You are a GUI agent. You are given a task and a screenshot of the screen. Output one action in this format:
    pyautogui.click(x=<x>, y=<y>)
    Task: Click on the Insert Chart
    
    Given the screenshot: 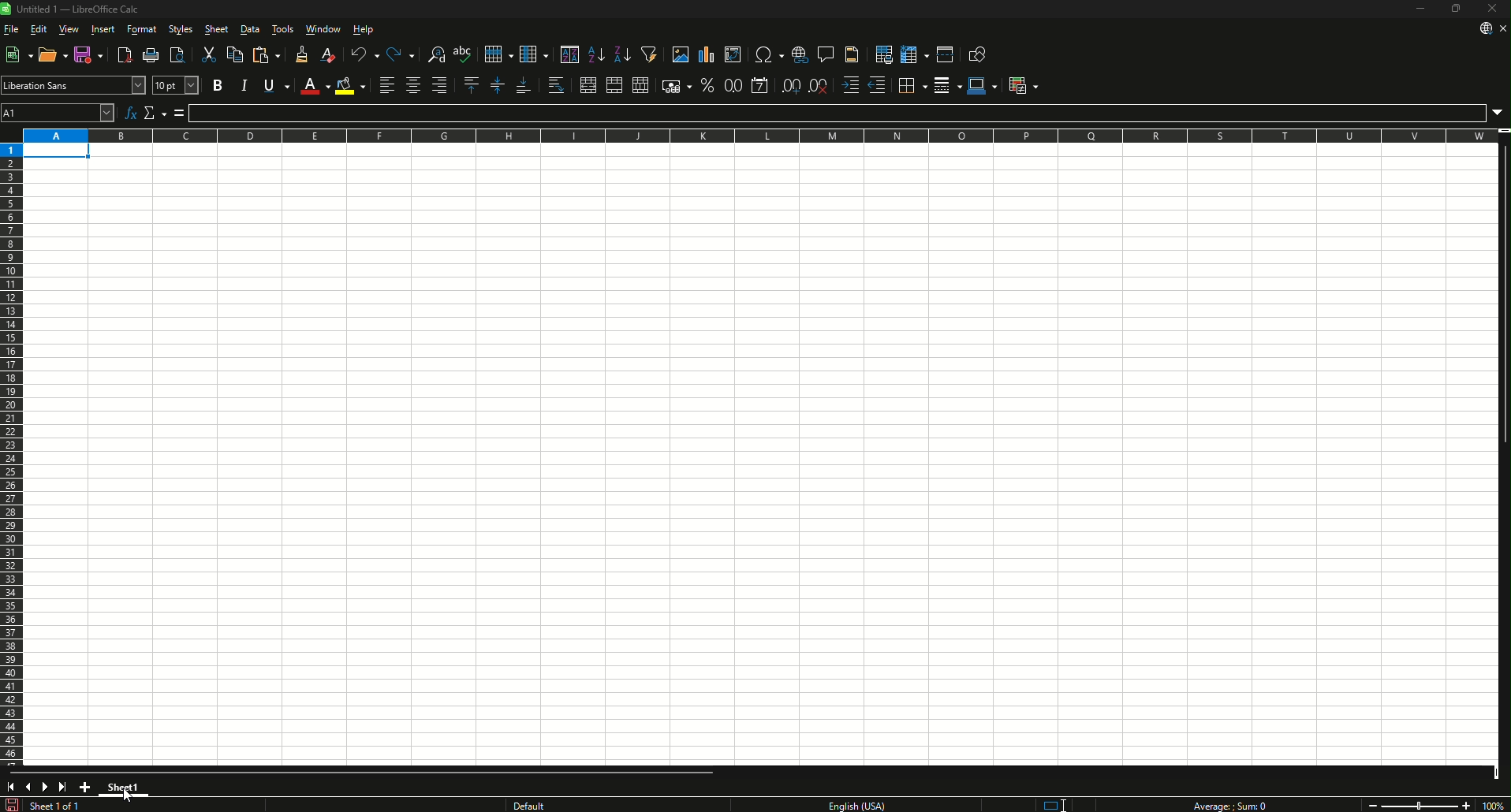 What is the action you would take?
    pyautogui.click(x=707, y=54)
    